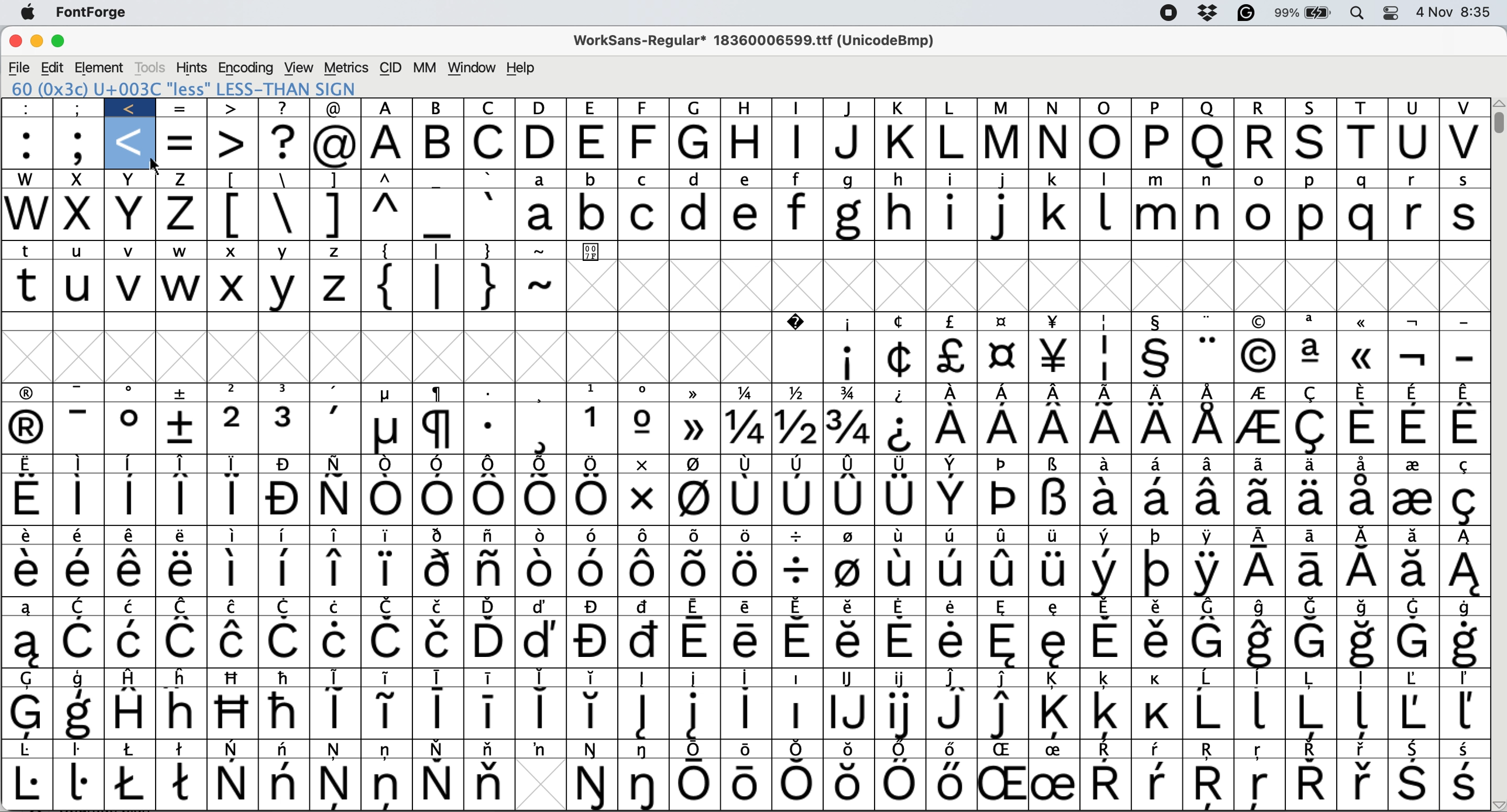 The image size is (1507, 812). Describe the element at coordinates (1002, 536) in the screenshot. I see `Symbol` at that location.